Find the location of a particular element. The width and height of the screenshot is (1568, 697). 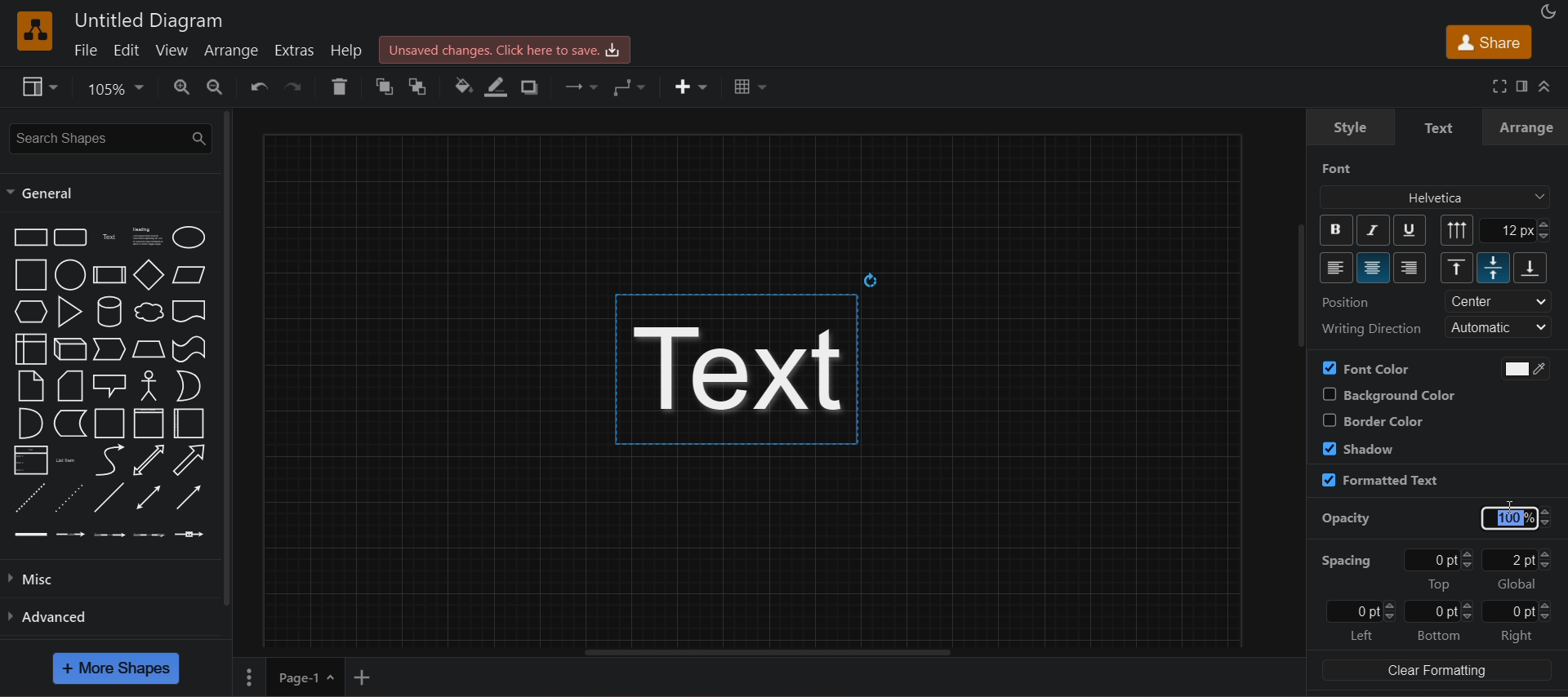

italic is located at coordinates (1371, 230).